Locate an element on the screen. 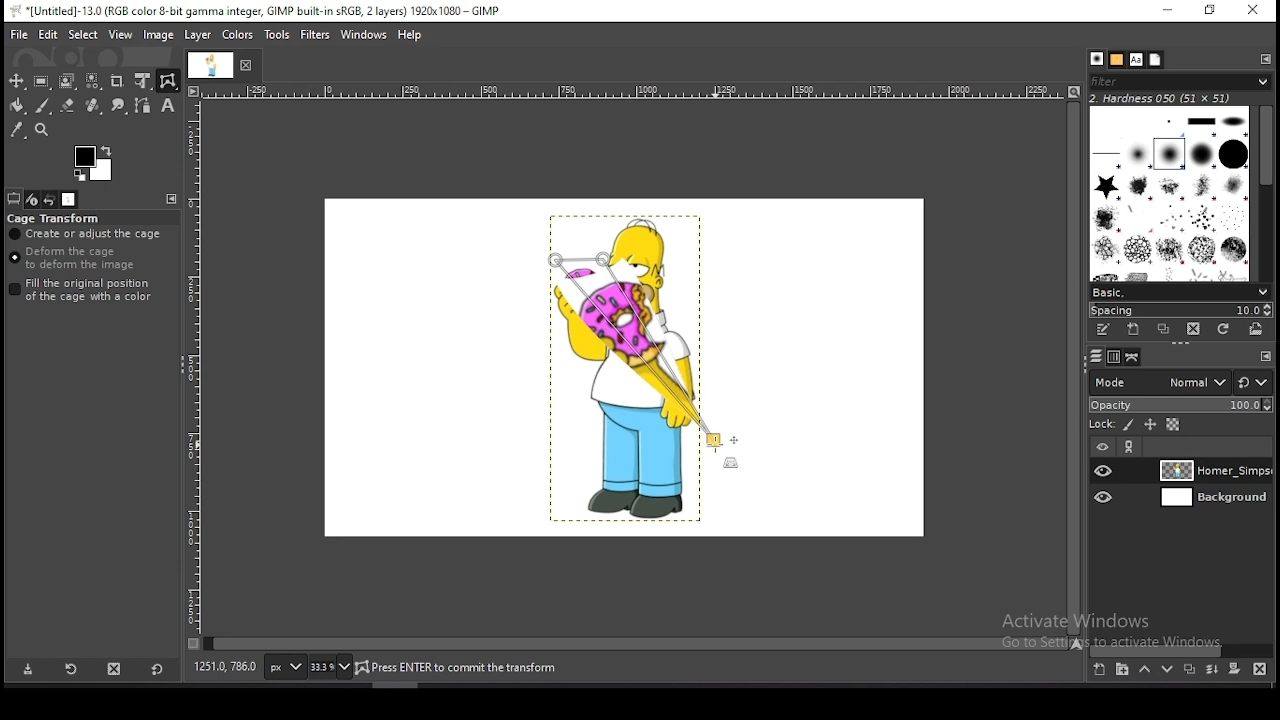 This screenshot has width=1280, height=720. edit is located at coordinates (48, 35).